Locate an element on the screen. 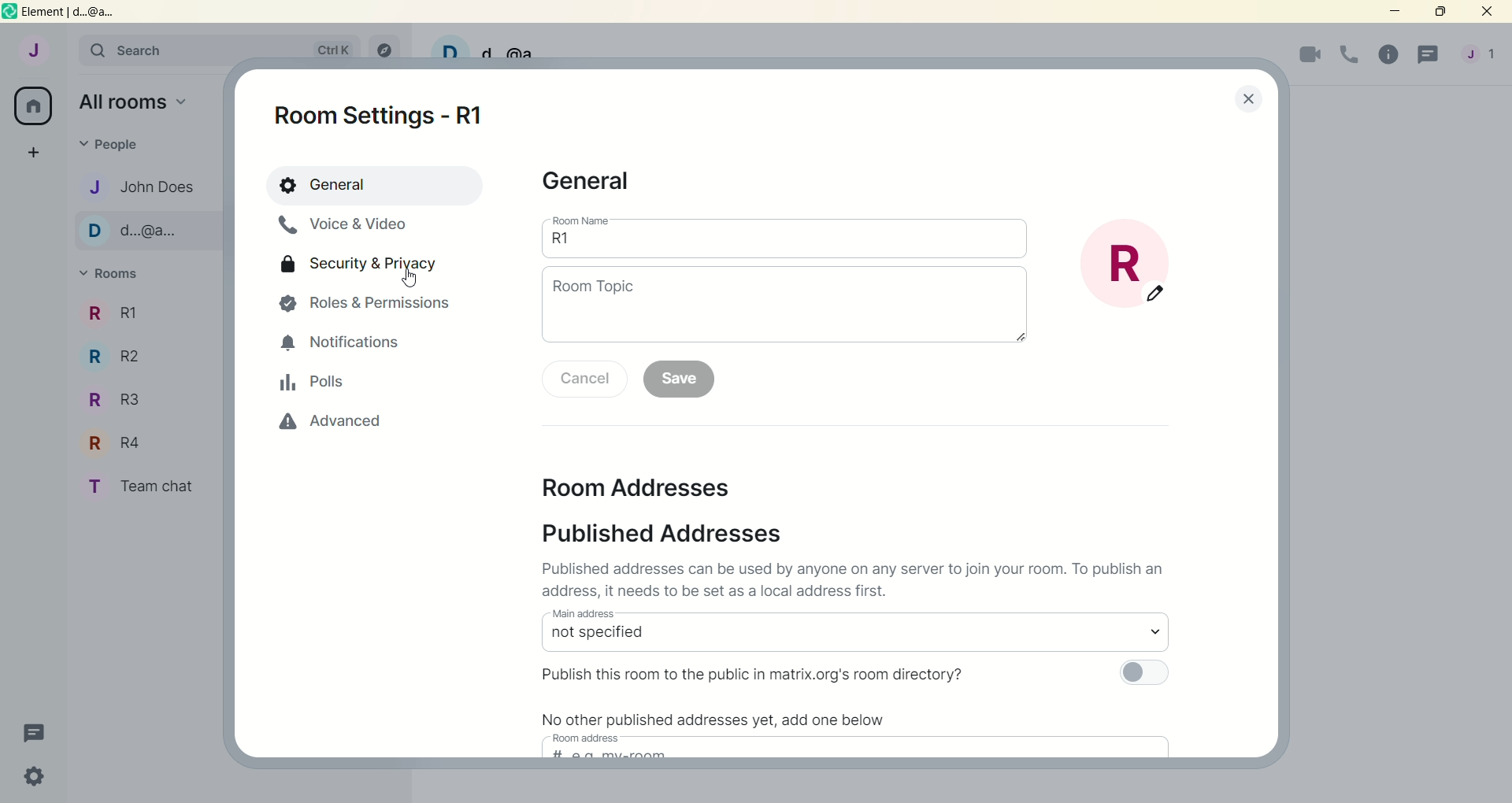 This screenshot has width=1512, height=803. video call is located at coordinates (1311, 57).